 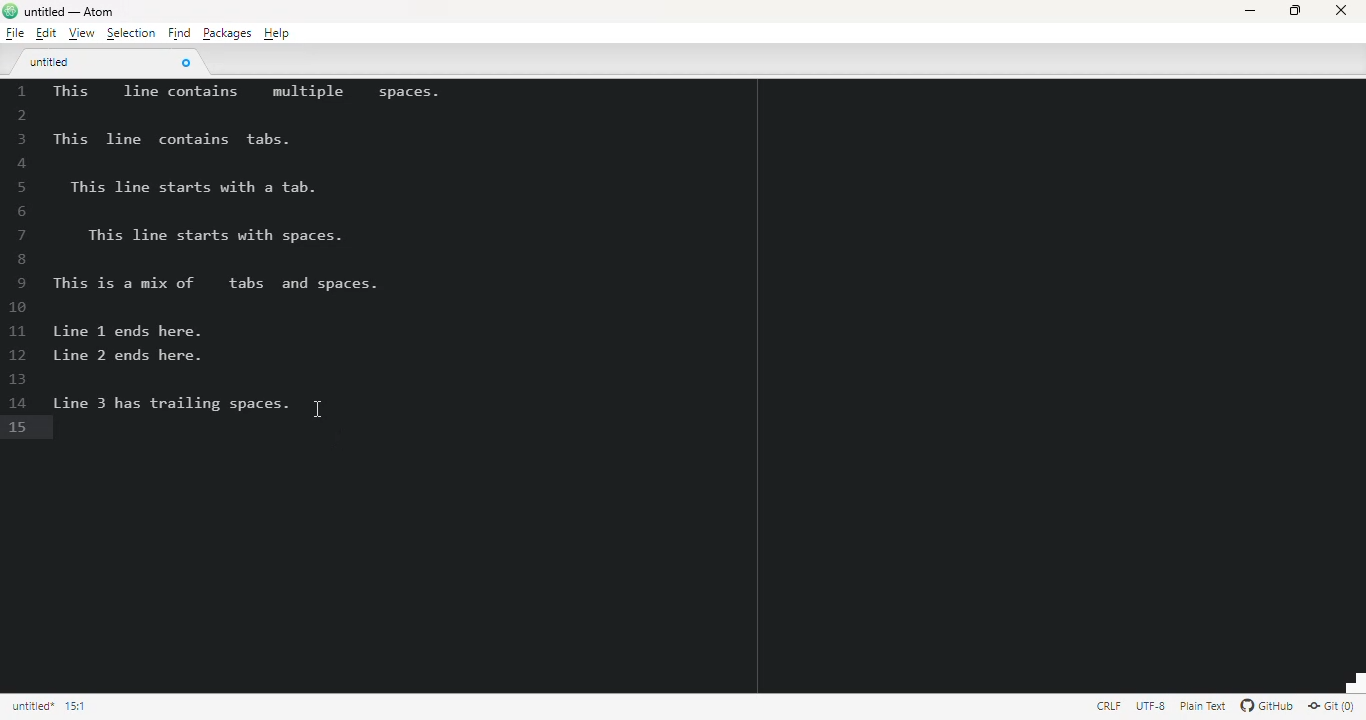 What do you see at coordinates (318, 409) in the screenshot?
I see `cursor` at bounding box center [318, 409].